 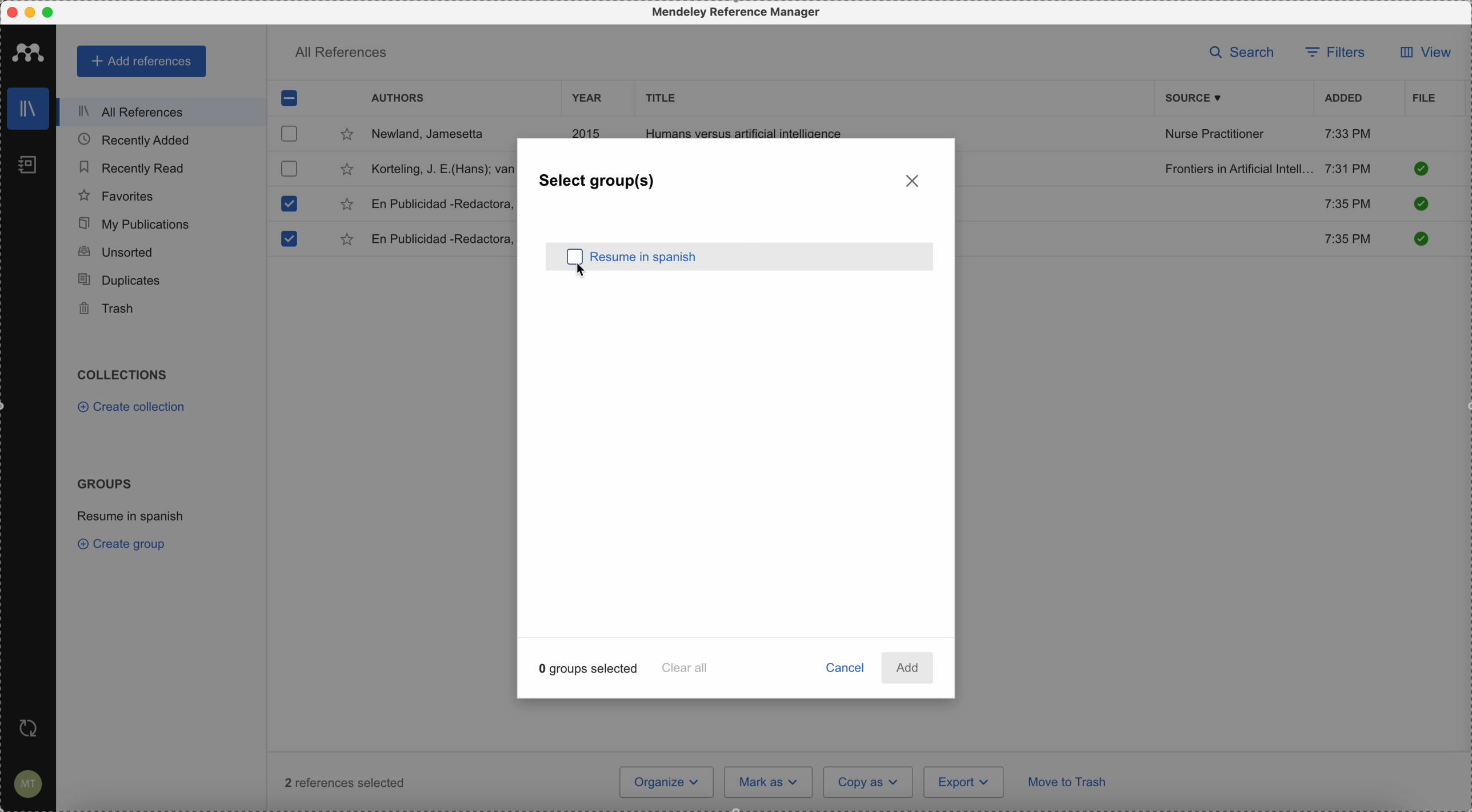 What do you see at coordinates (158, 112) in the screenshot?
I see `all references` at bounding box center [158, 112].